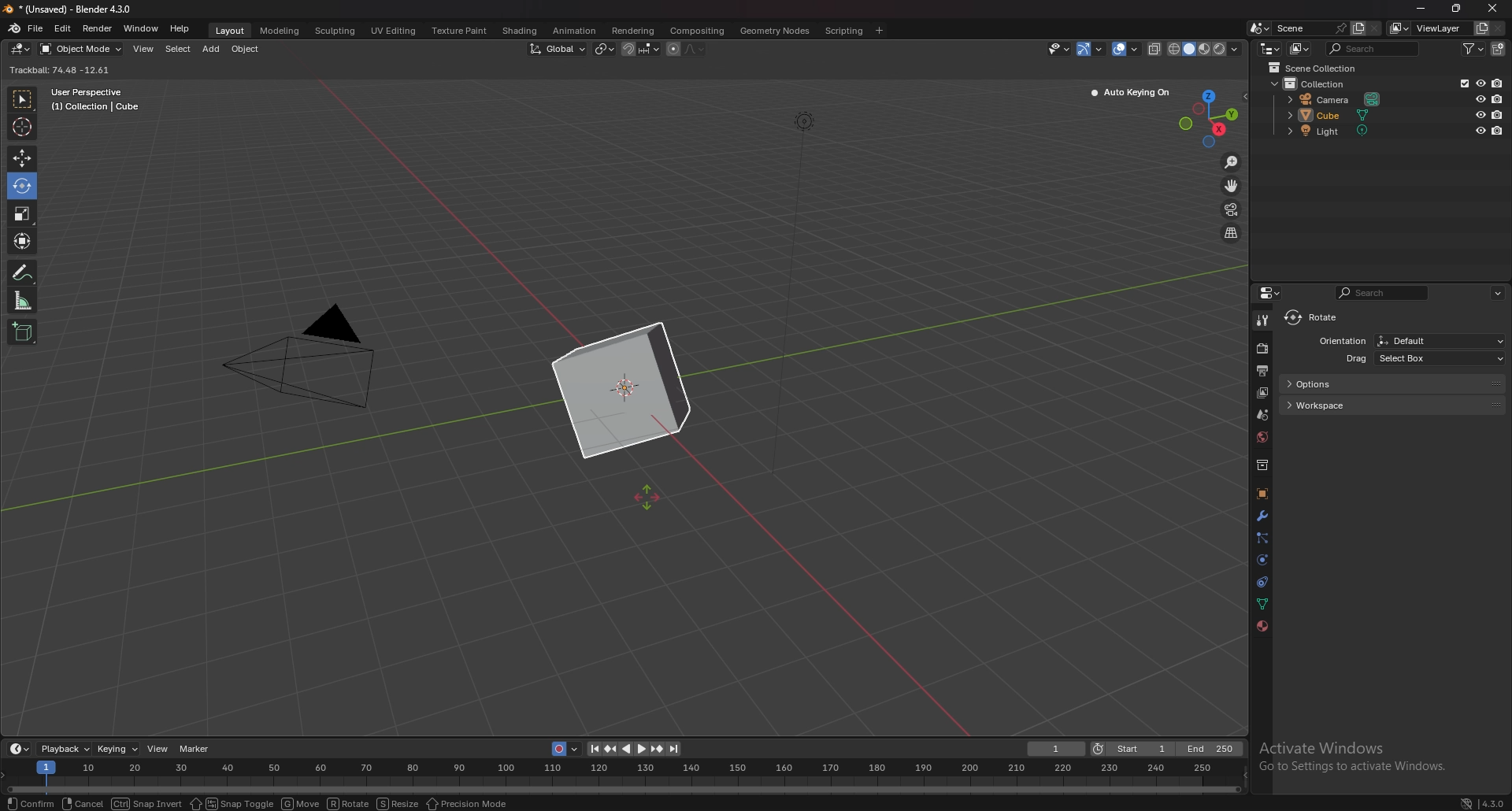 This screenshot has height=811, width=1512. I want to click on editor type, so click(1273, 292).